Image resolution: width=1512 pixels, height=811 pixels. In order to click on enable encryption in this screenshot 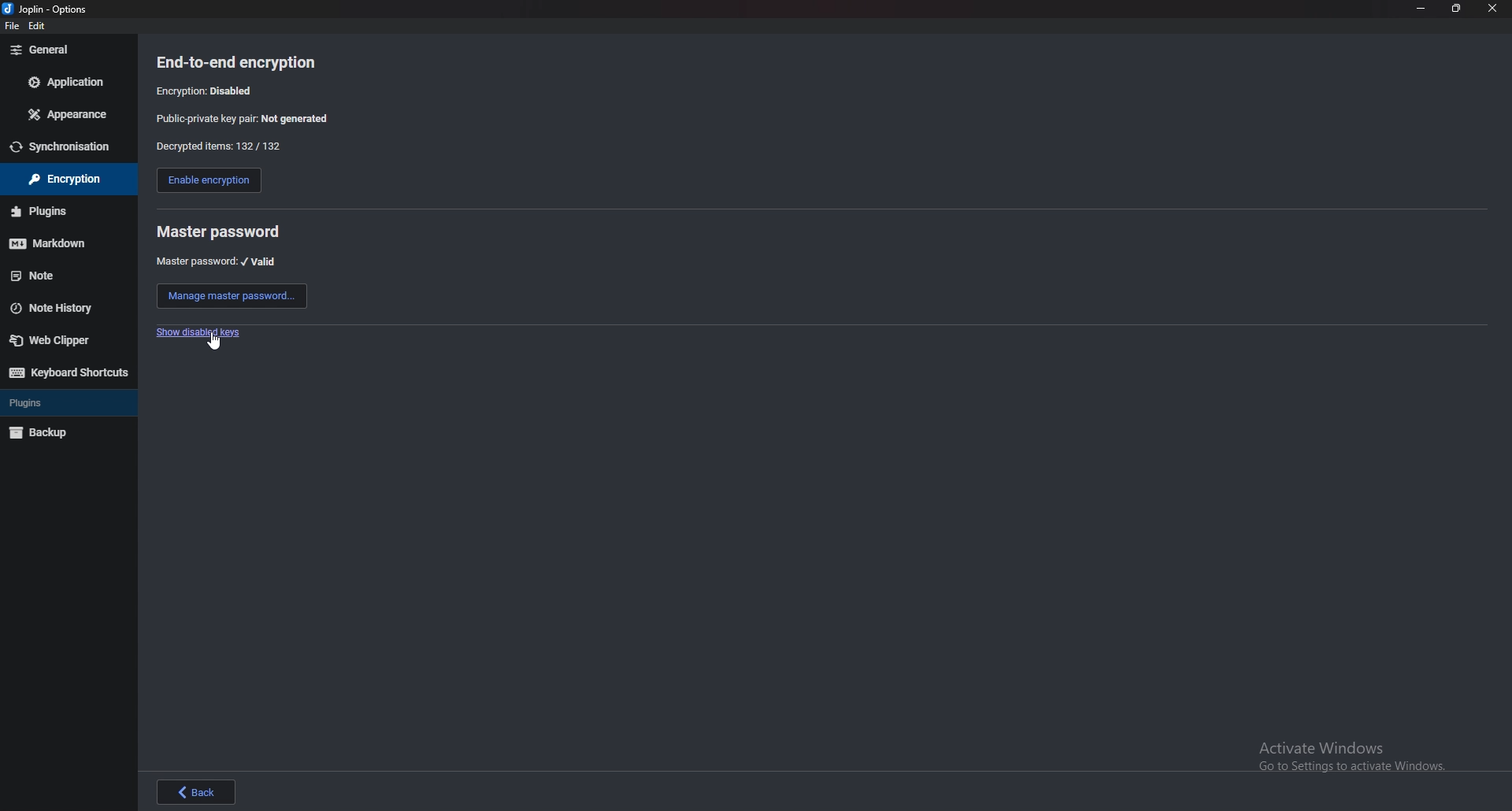, I will do `click(209, 180)`.